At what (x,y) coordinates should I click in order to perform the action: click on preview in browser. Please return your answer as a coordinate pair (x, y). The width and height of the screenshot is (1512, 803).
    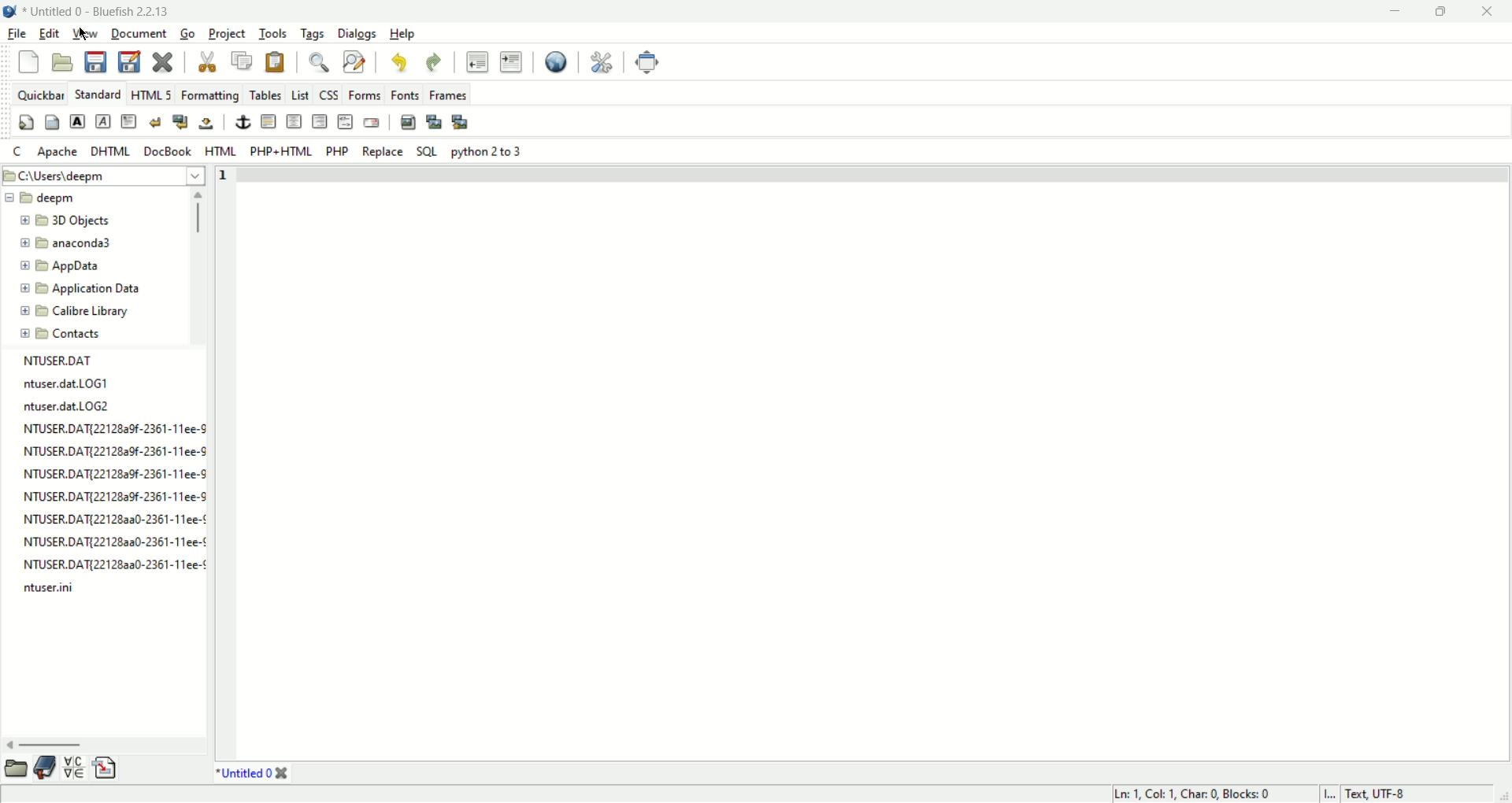
    Looking at the image, I should click on (558, 60).